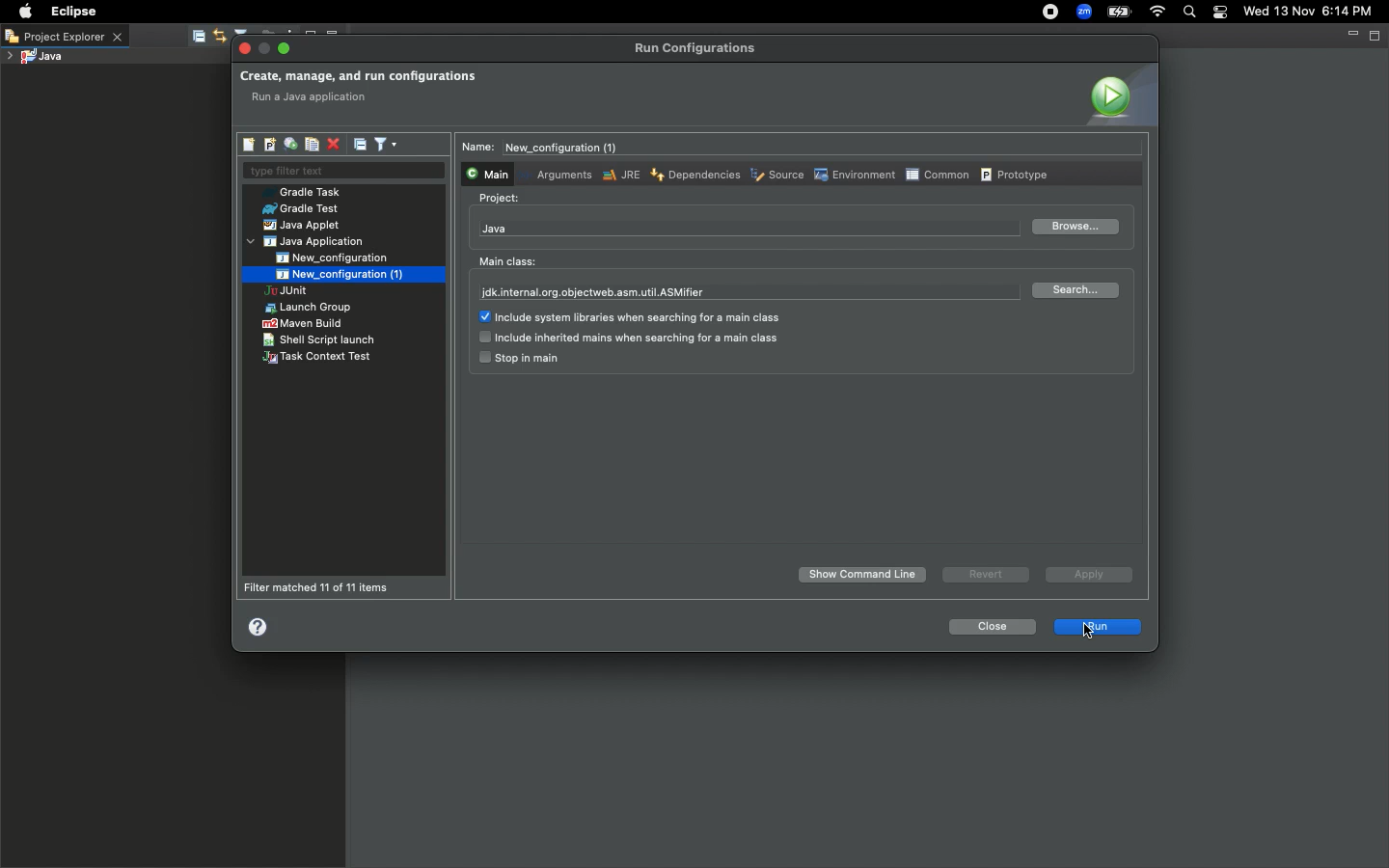 The width and height of the screenshot is (1389, 868). What do you see at coordinates (619, 175) in the screenshot?
I see `JRE` at bounding box center [619, 175].